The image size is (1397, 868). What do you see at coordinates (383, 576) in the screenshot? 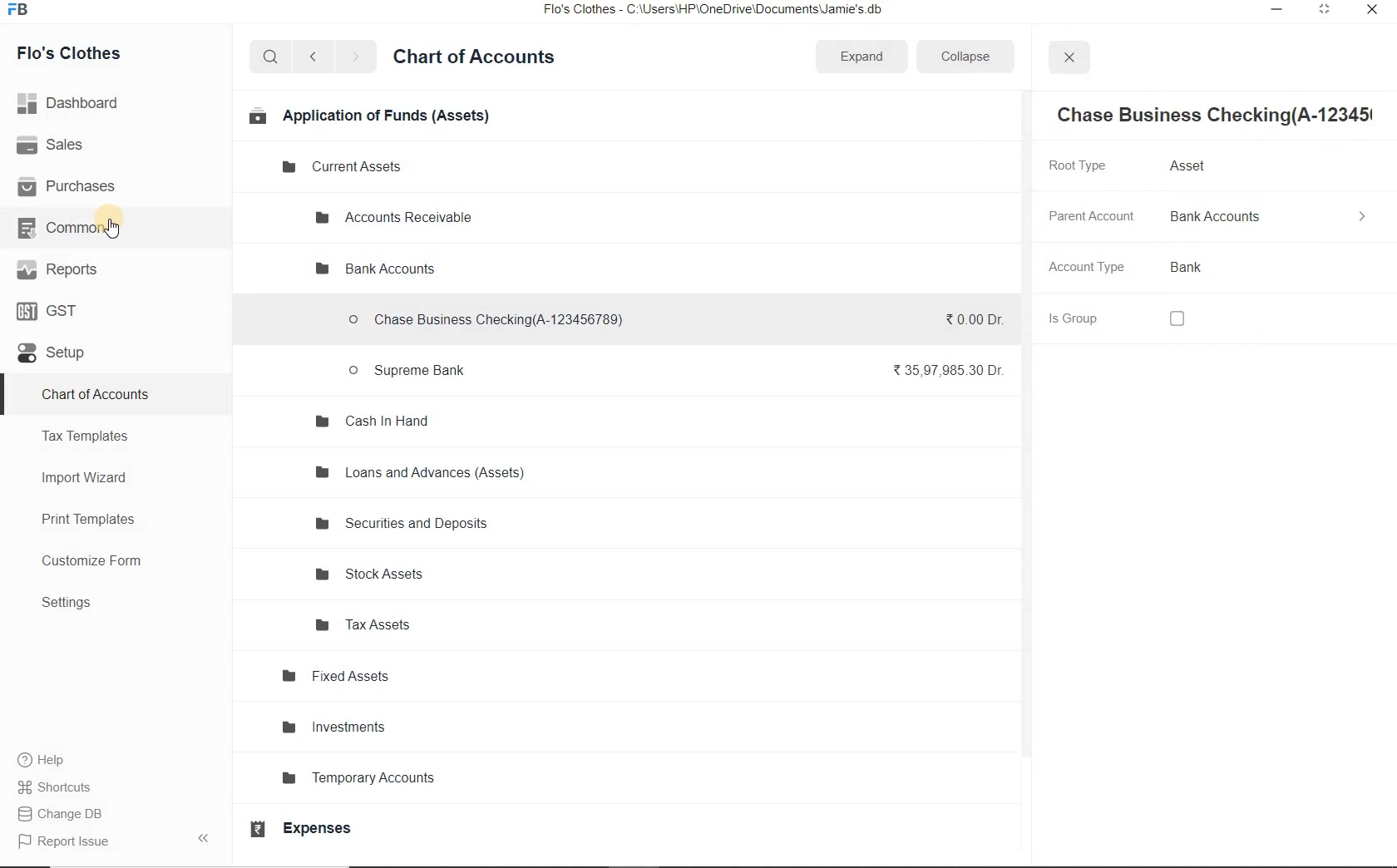
I see `Stock Assets` at bounding box center [383, 576].